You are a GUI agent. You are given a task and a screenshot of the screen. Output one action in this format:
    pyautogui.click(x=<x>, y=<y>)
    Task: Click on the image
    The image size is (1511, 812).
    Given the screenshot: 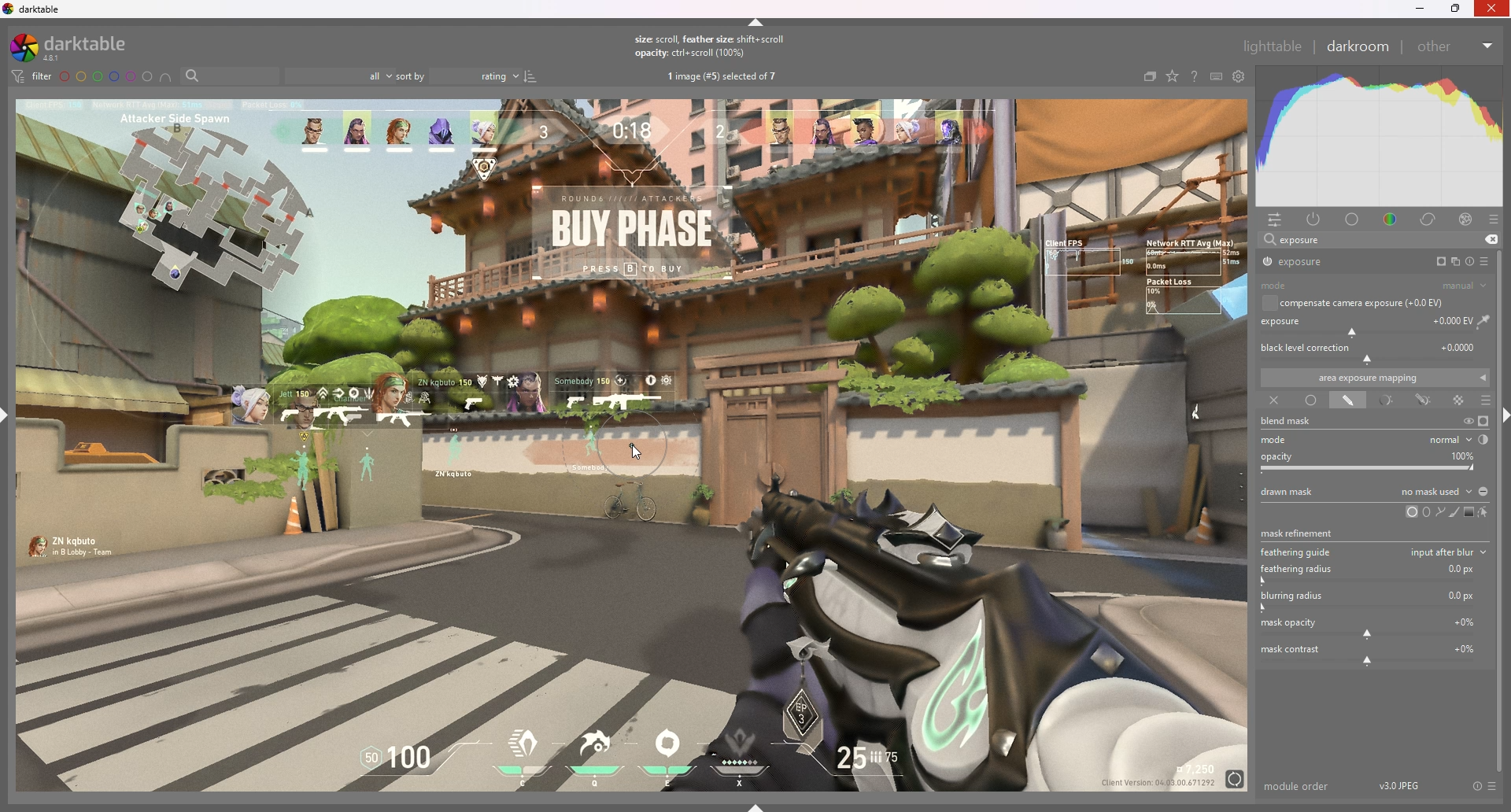 What is the action you would take?
    pyautogui.click(x=634, y=445)
    